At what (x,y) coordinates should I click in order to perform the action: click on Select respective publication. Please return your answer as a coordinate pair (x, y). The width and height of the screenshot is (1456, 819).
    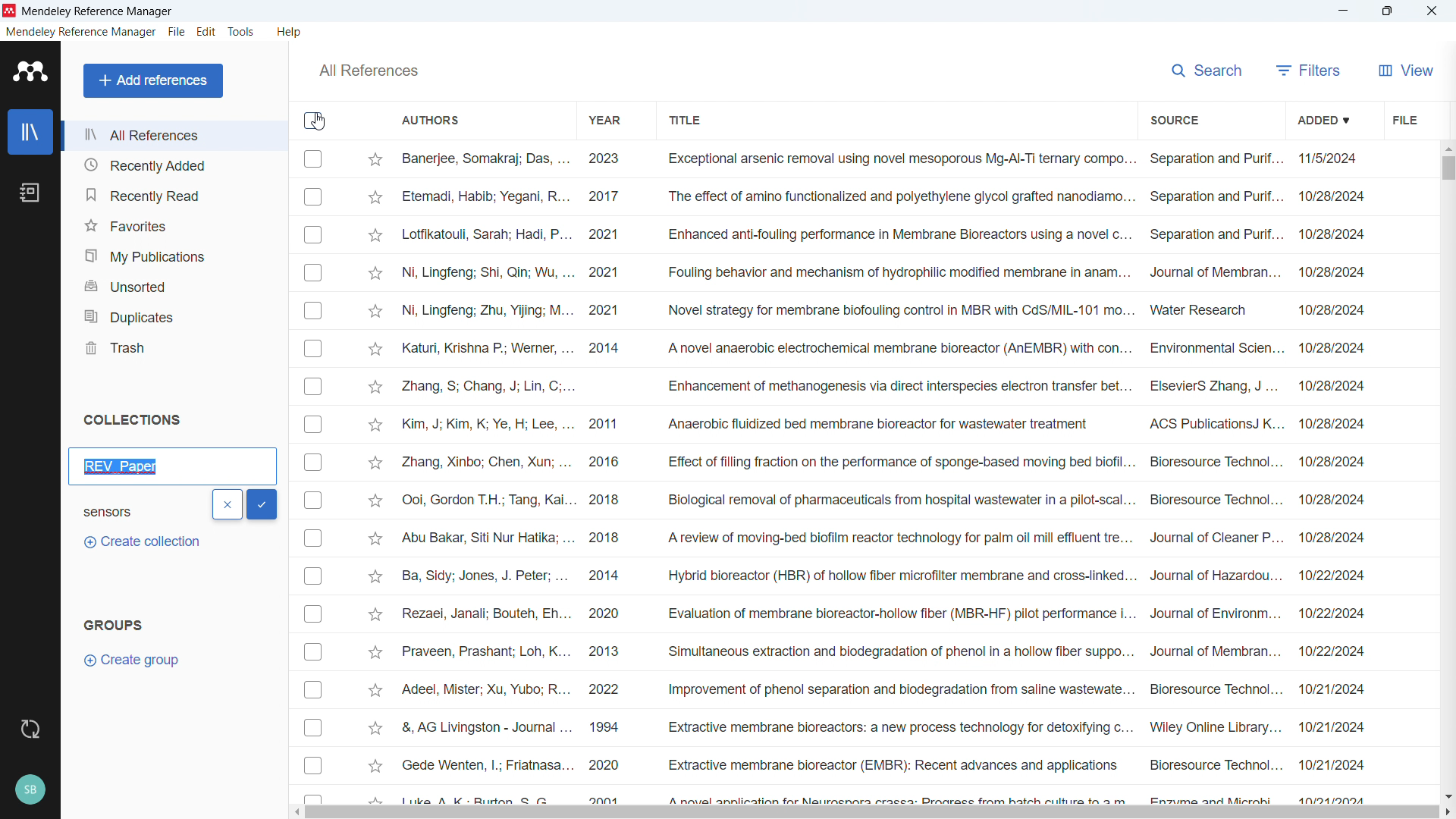
    Looking at the image, I should click on (313, 652).